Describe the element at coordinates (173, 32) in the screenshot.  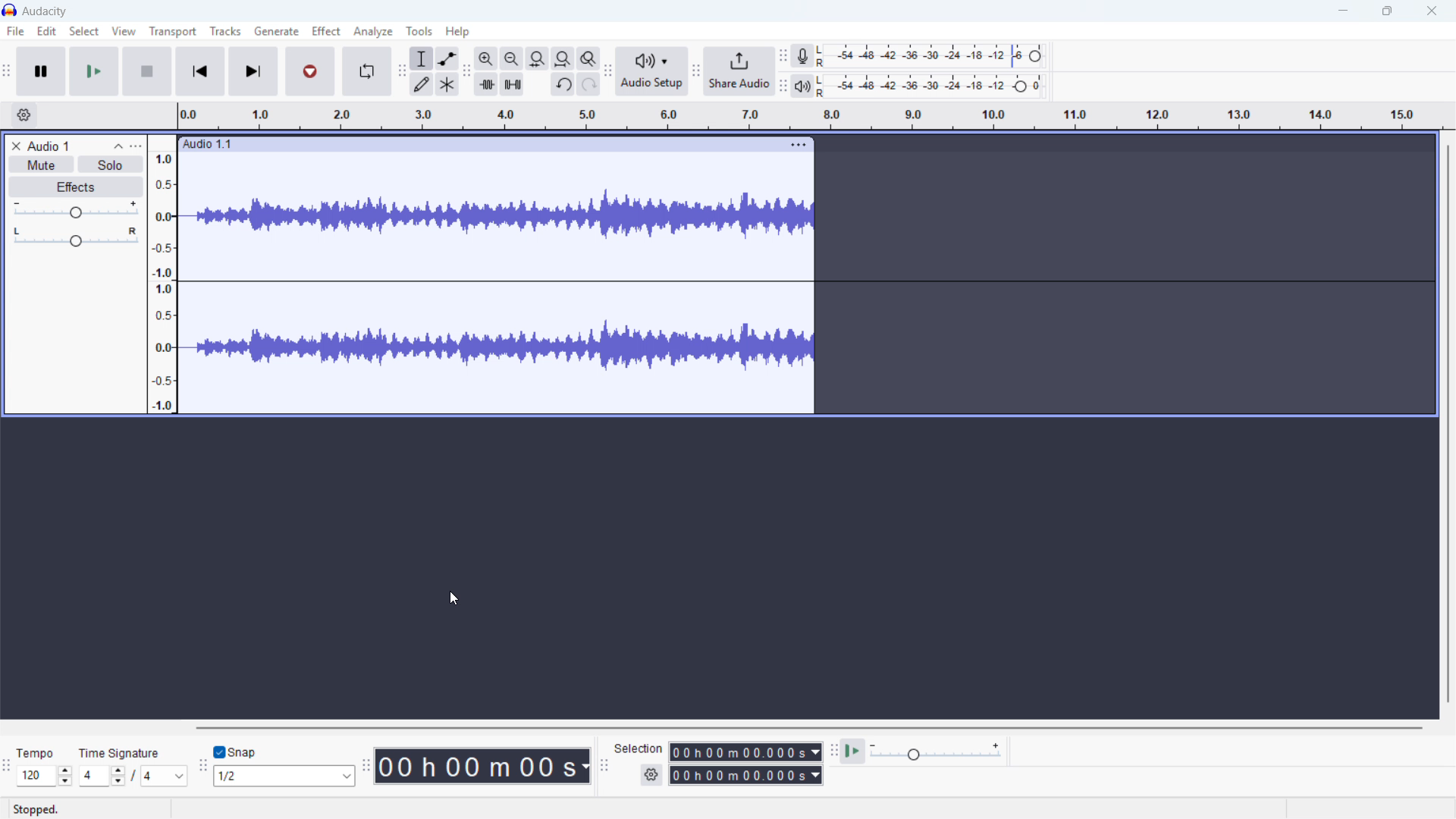
I see `Transport ` at that location.